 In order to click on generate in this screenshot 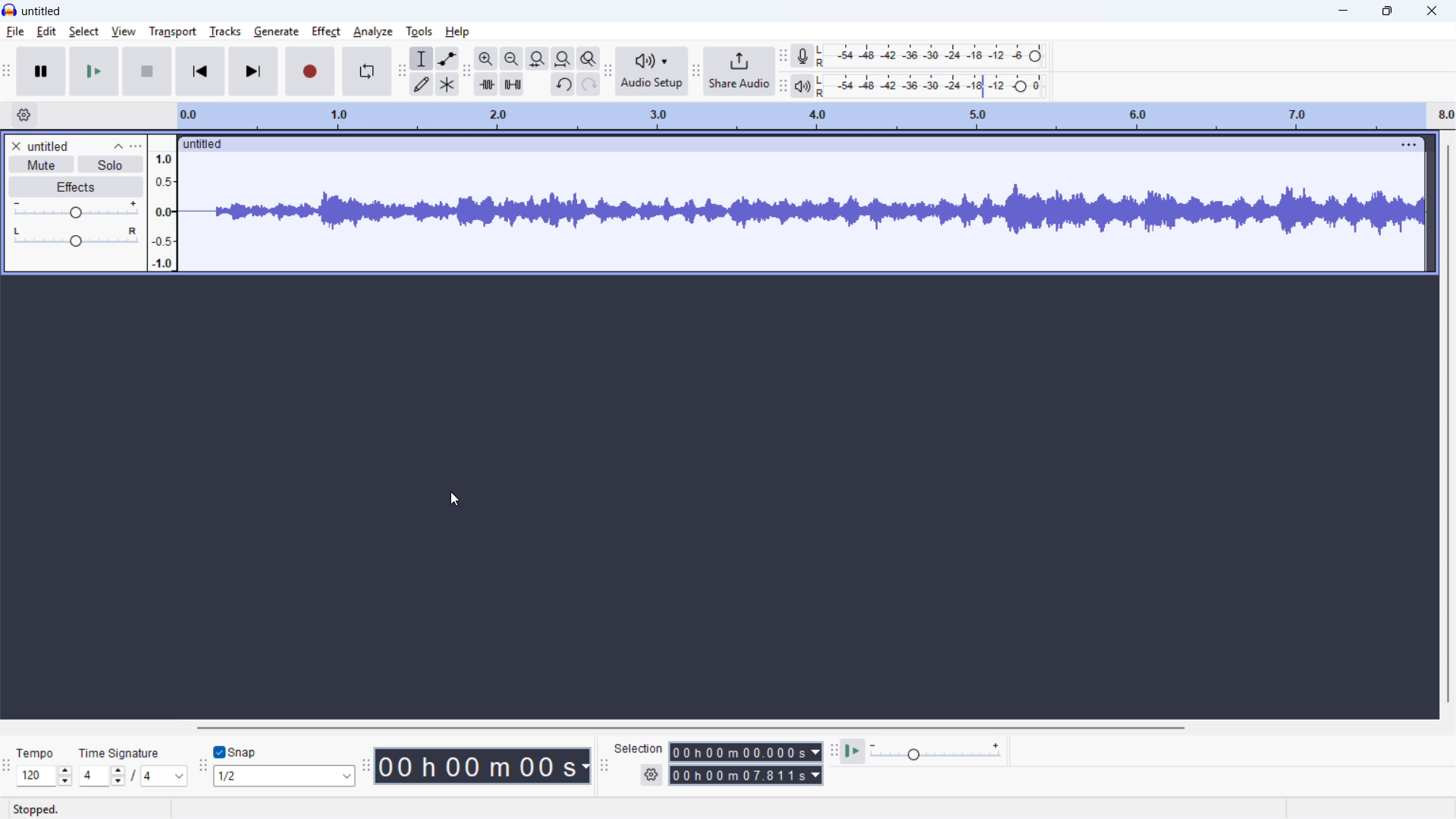, I will do `click(276, 32)`.